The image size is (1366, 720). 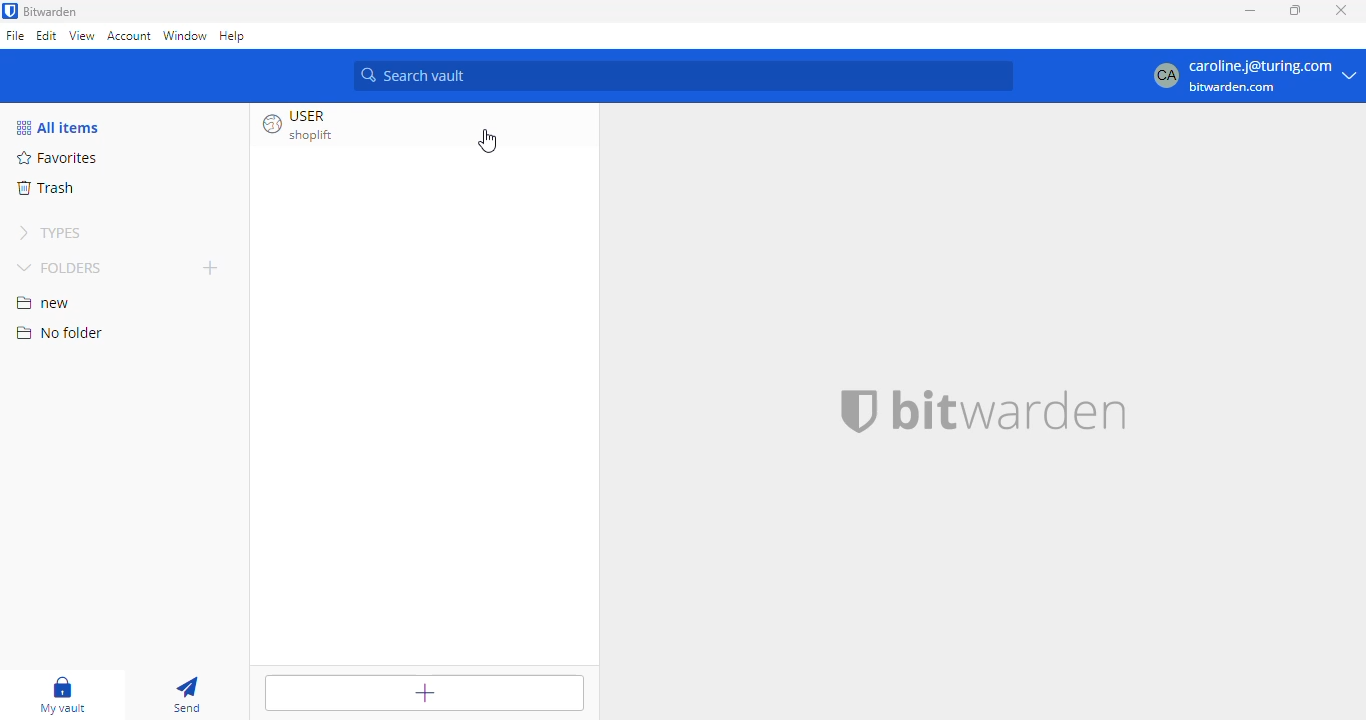 I want to click on bitwarden, so click(x=50, y=11).